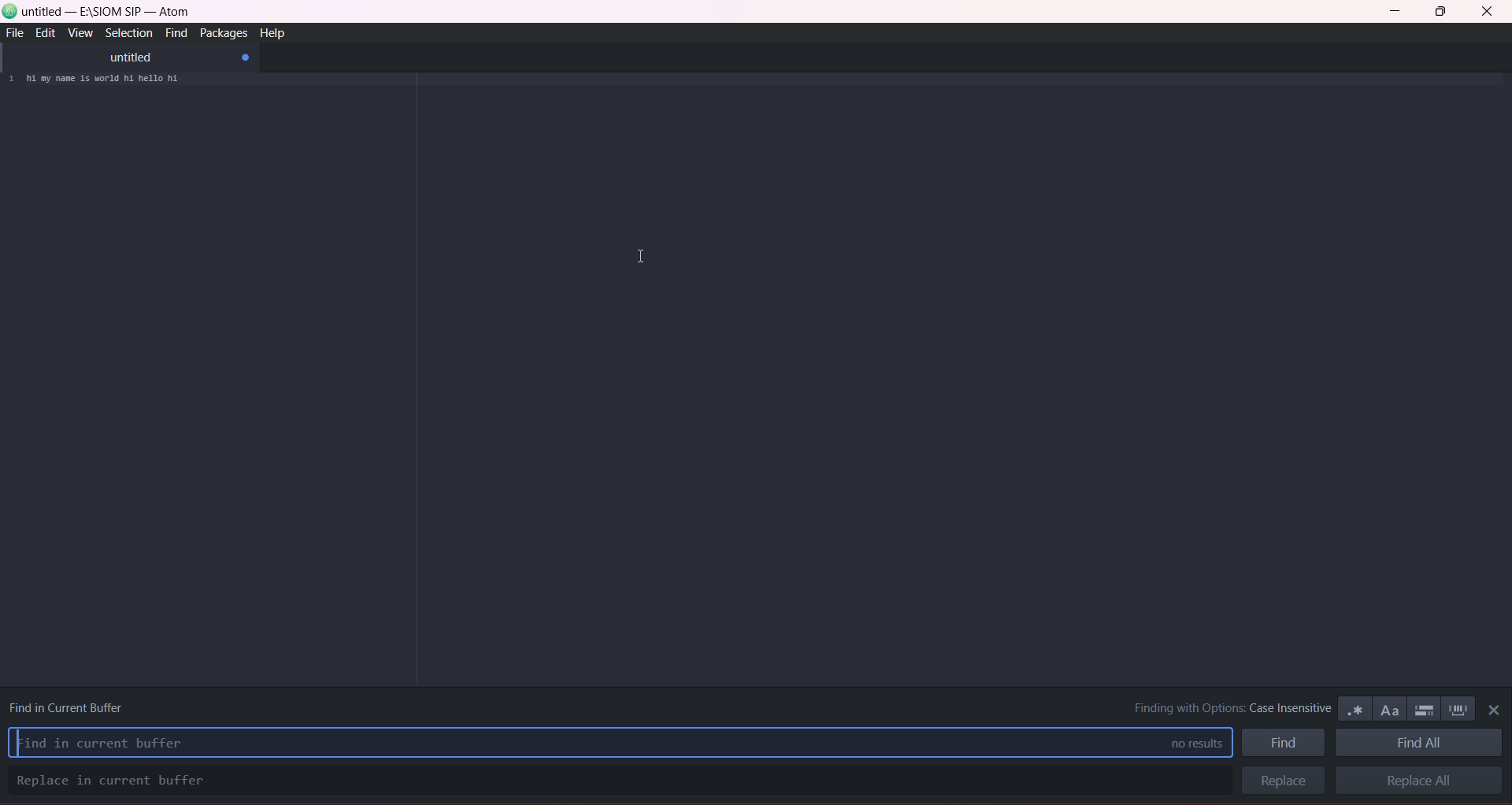 This screenshot has width=1512, height=805. Describe the element at coordinates (129, 57) in the screenshot. I see `untitled` at that location.